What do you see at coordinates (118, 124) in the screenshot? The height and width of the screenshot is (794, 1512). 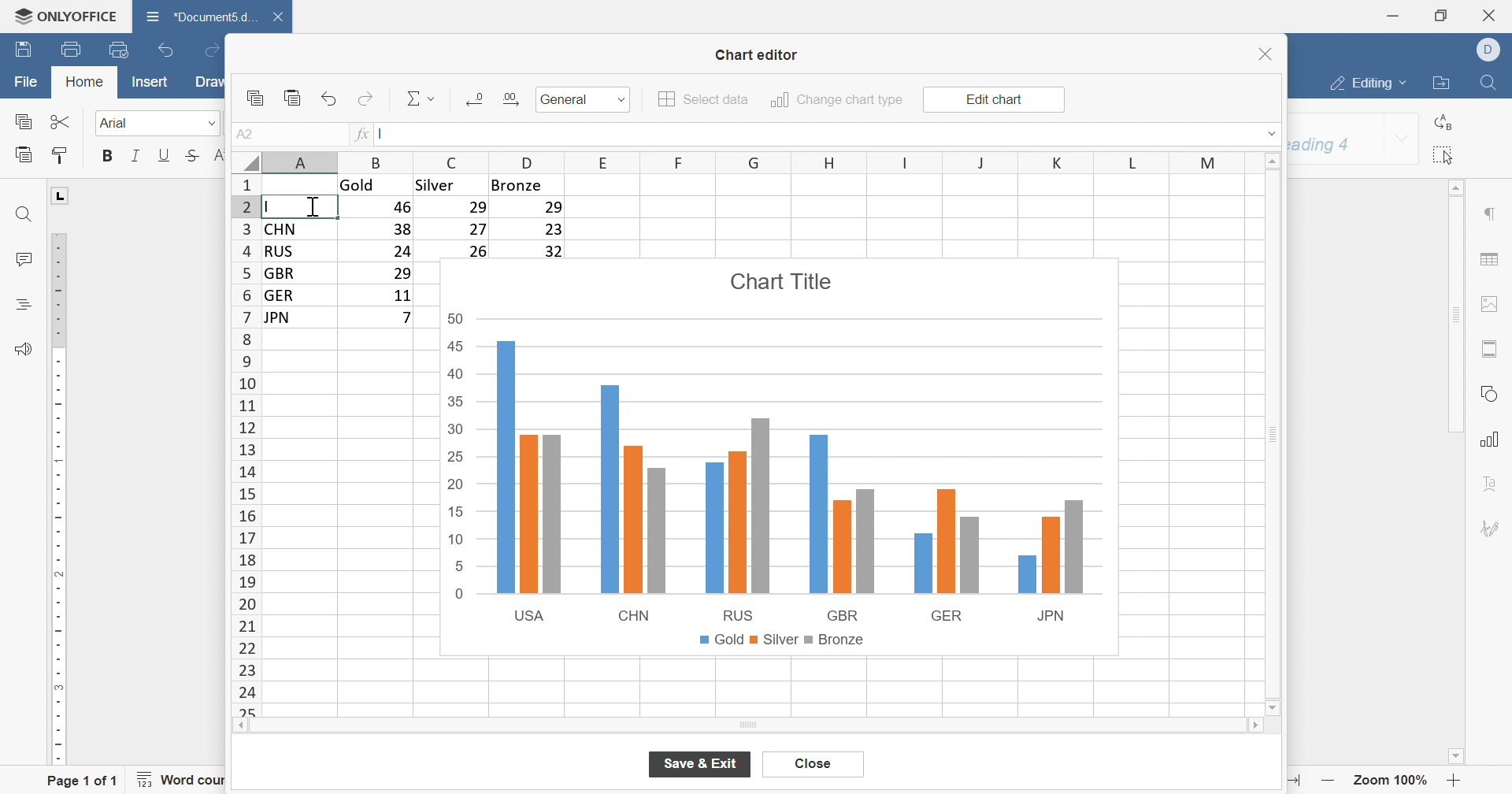 I see `Arial` at bounding box center [118, 124].